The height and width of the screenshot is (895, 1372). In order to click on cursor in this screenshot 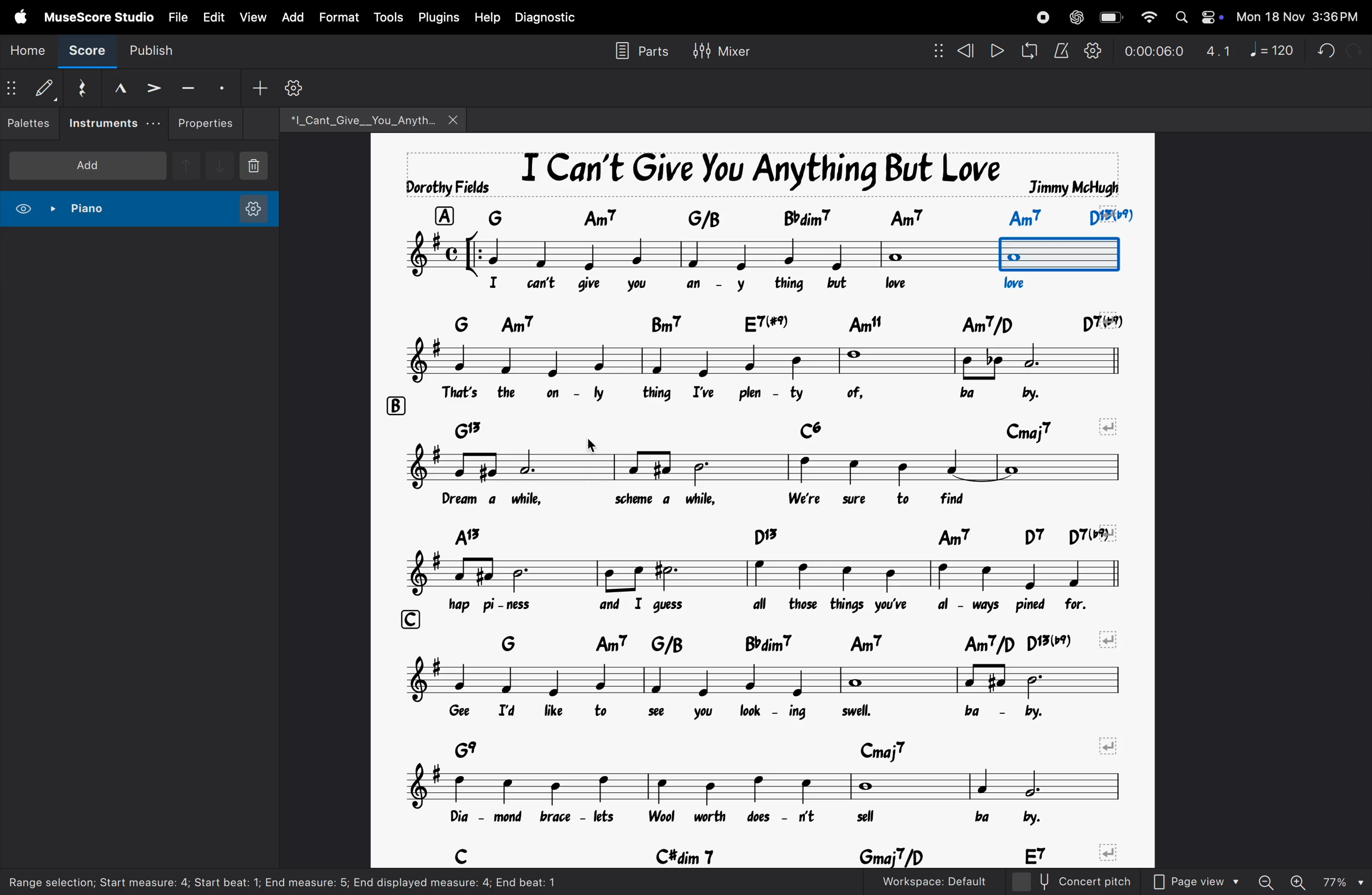, I will do `click(589, 442)`.